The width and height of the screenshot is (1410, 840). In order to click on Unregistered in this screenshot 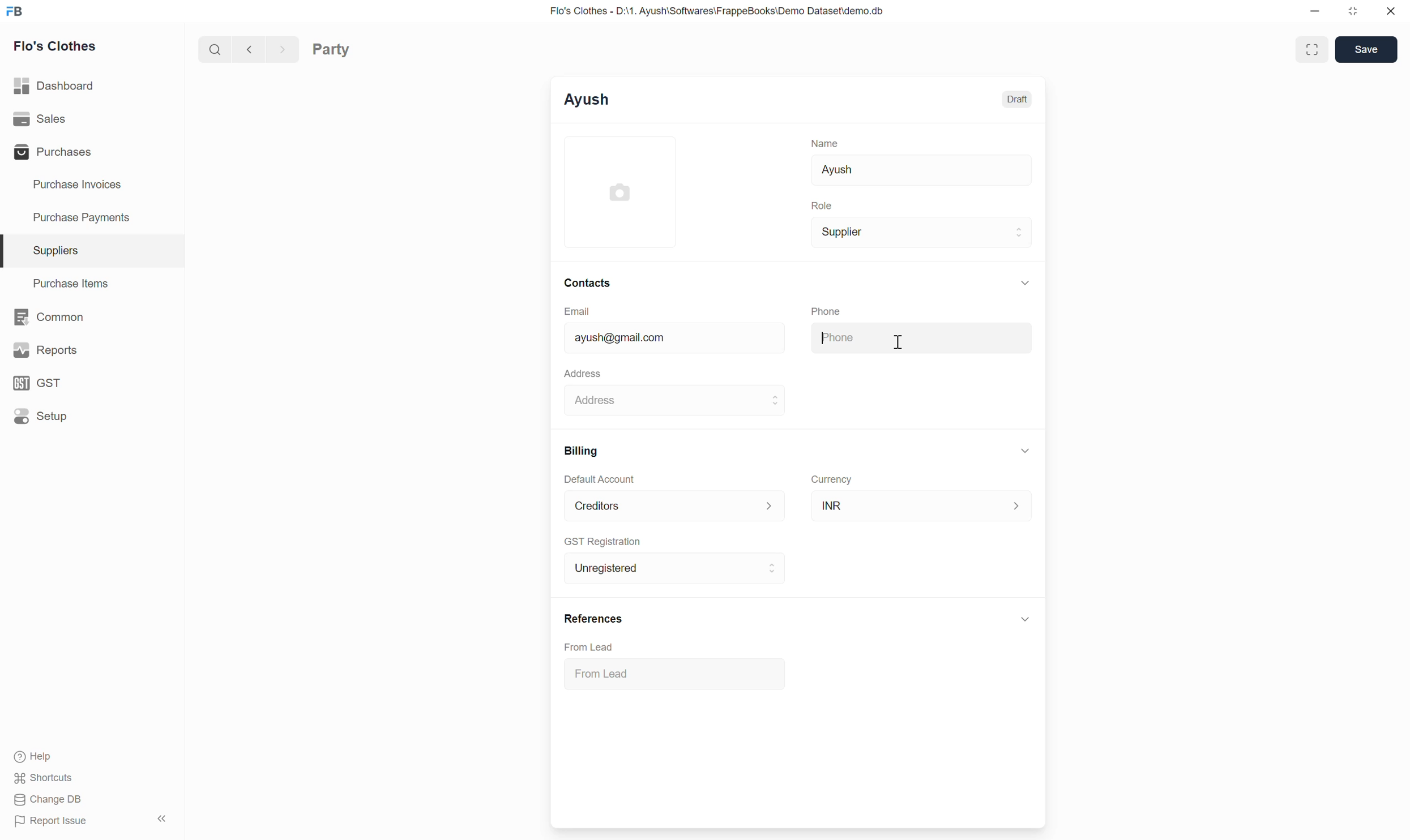, I will do `click(675, 568)`.